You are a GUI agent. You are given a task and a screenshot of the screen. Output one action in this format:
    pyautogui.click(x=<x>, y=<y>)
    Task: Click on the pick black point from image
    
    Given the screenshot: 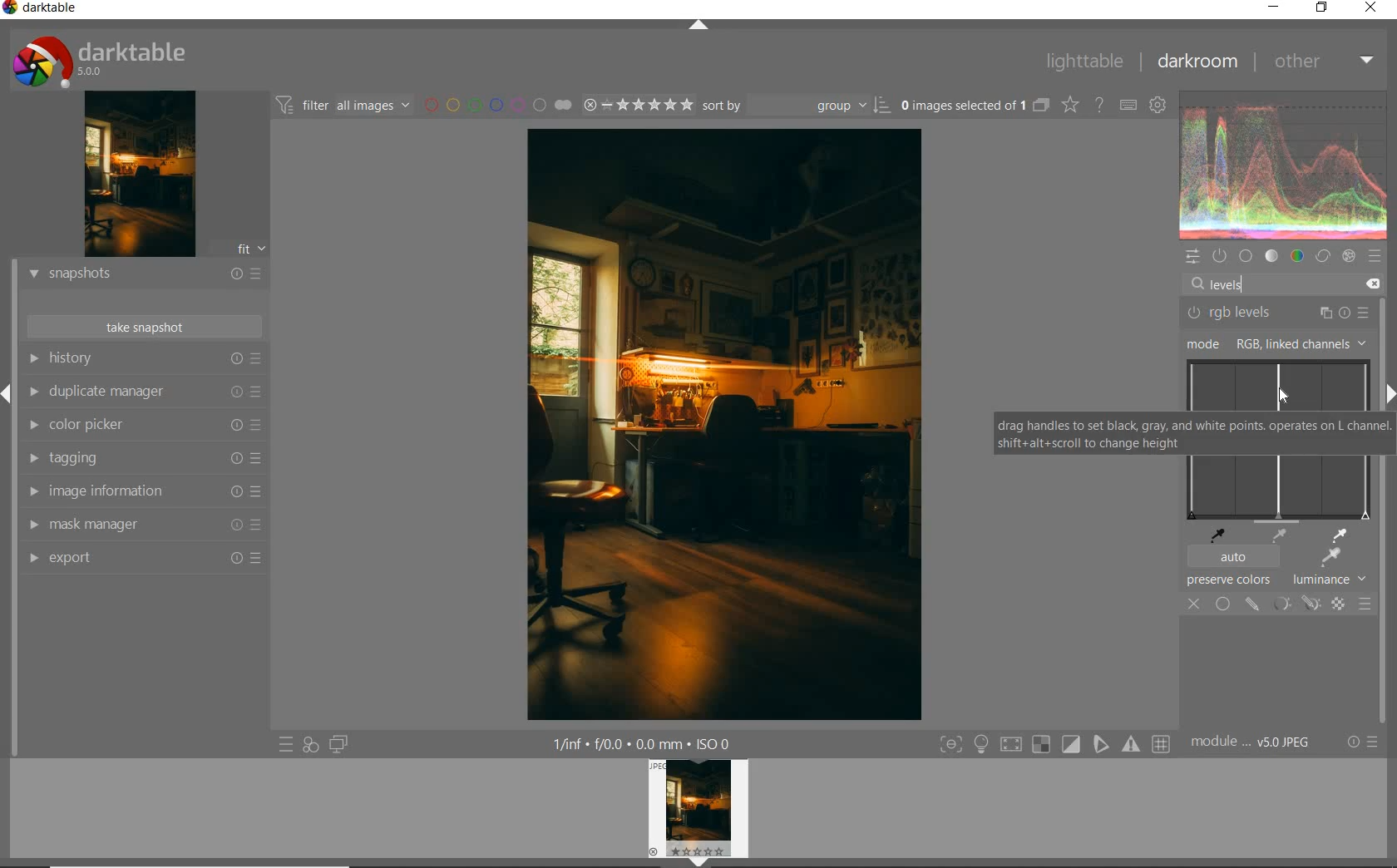 What is the action you would take?
    pyautogui.click(x=1220, y=534)
    